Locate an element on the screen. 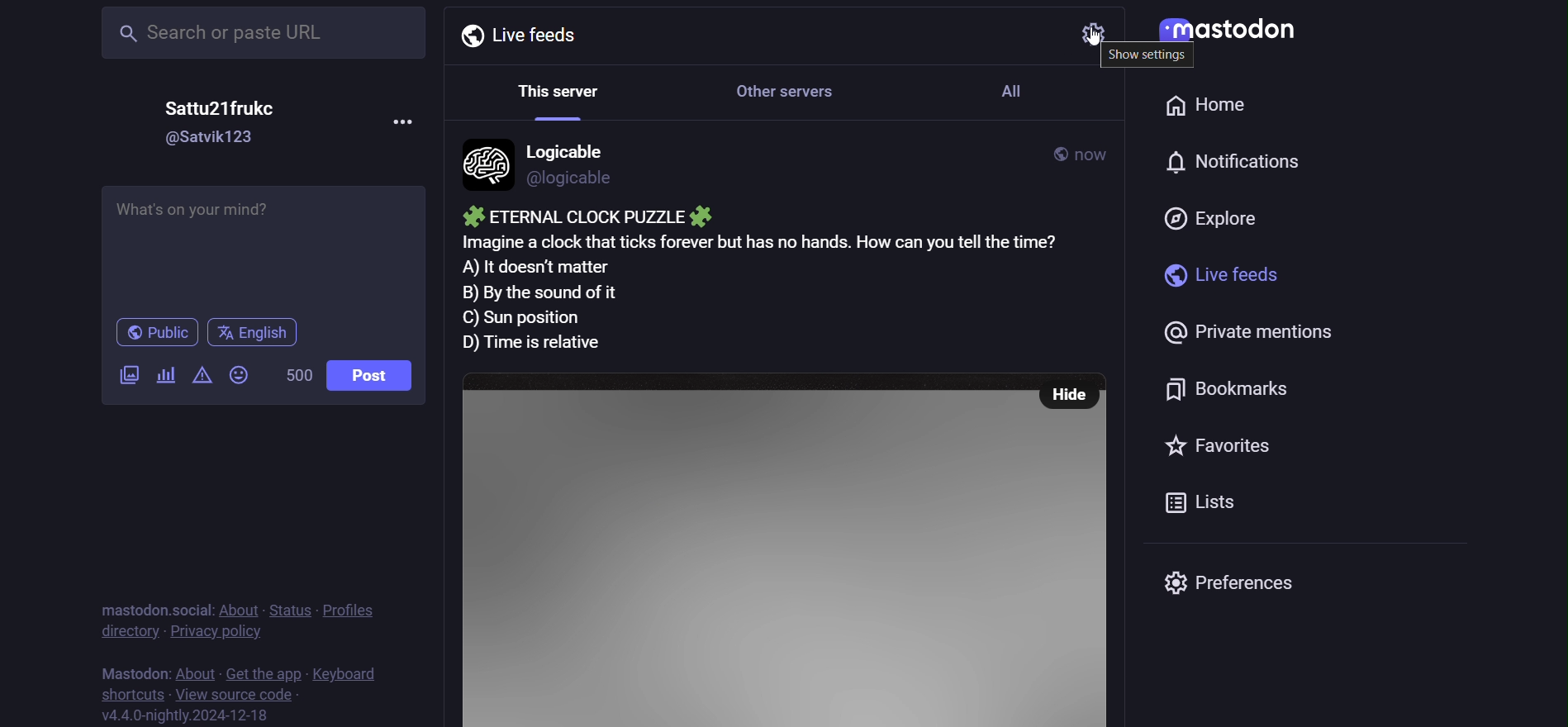 The width and height of the screenshot is (1568, 727). source code is located at coordinates (233, 694).